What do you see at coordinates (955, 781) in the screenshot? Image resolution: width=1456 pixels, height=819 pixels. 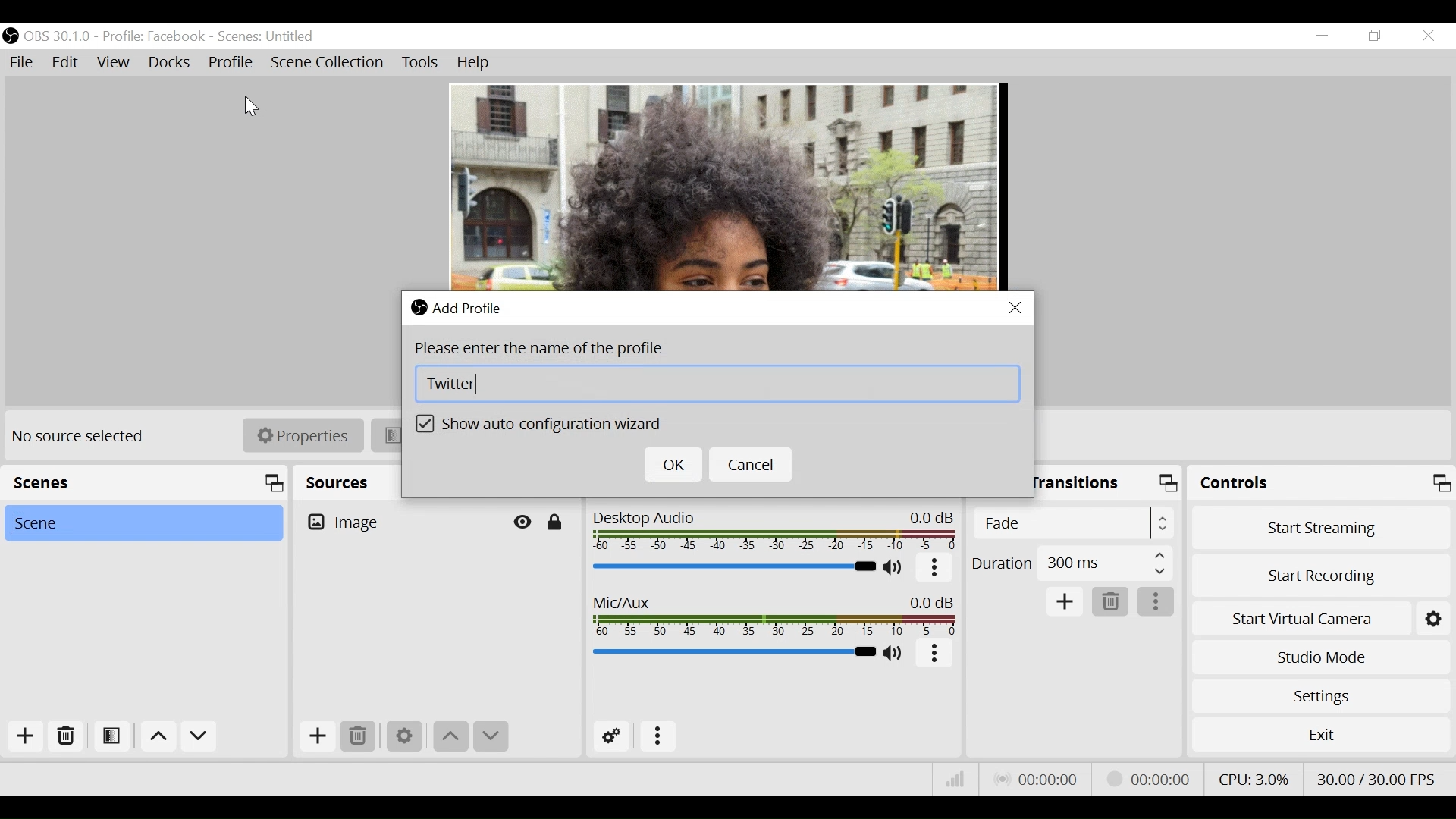 I see `Bitrate` at bounding box center [955, 781].